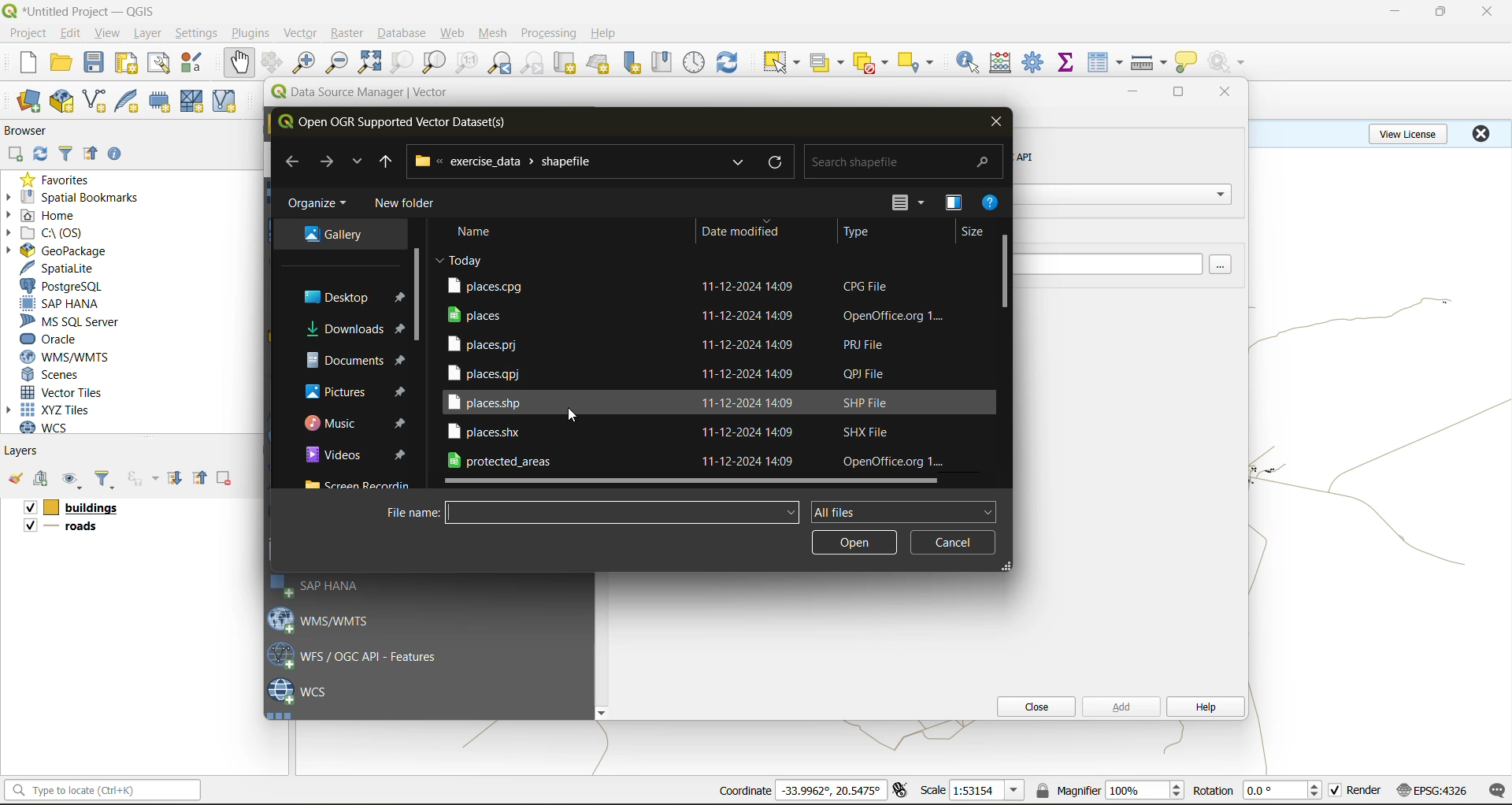 This screenshot has width=1512, height=805. I want to click on new, so click(26, 62).